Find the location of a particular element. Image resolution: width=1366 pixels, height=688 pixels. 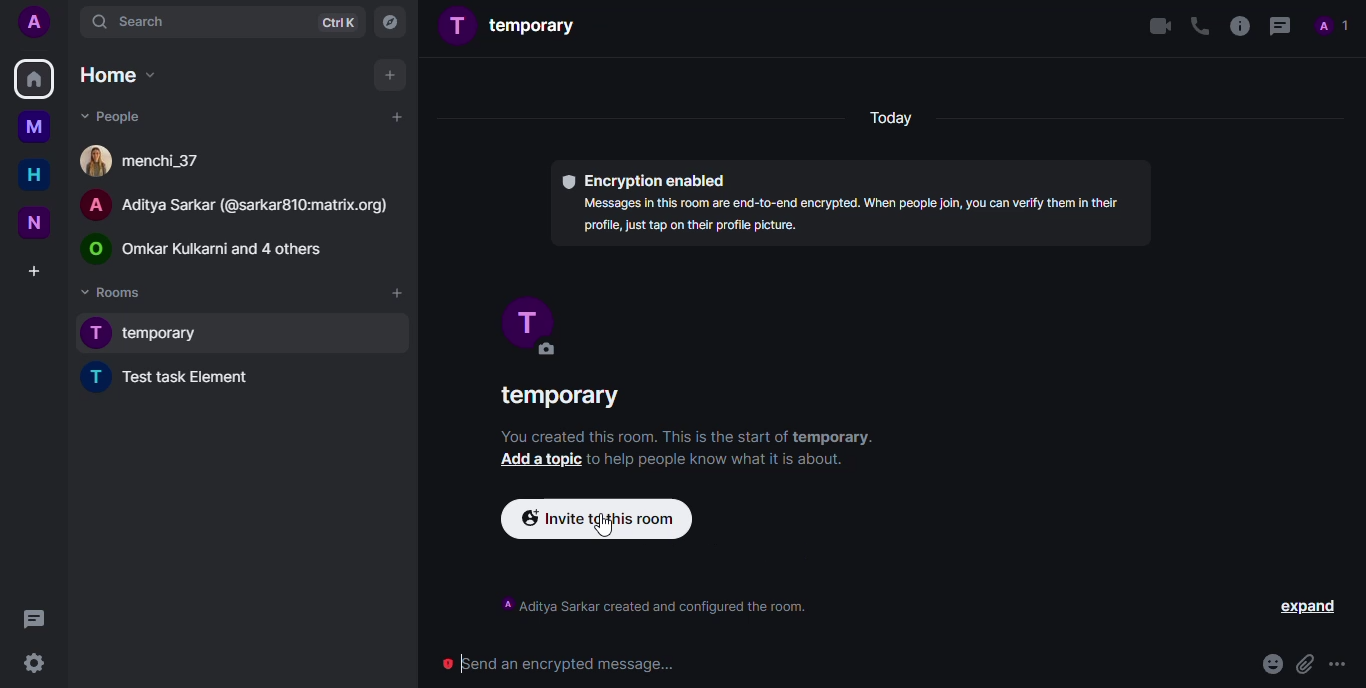

encryption enabled is located at coordinates (645, 178).